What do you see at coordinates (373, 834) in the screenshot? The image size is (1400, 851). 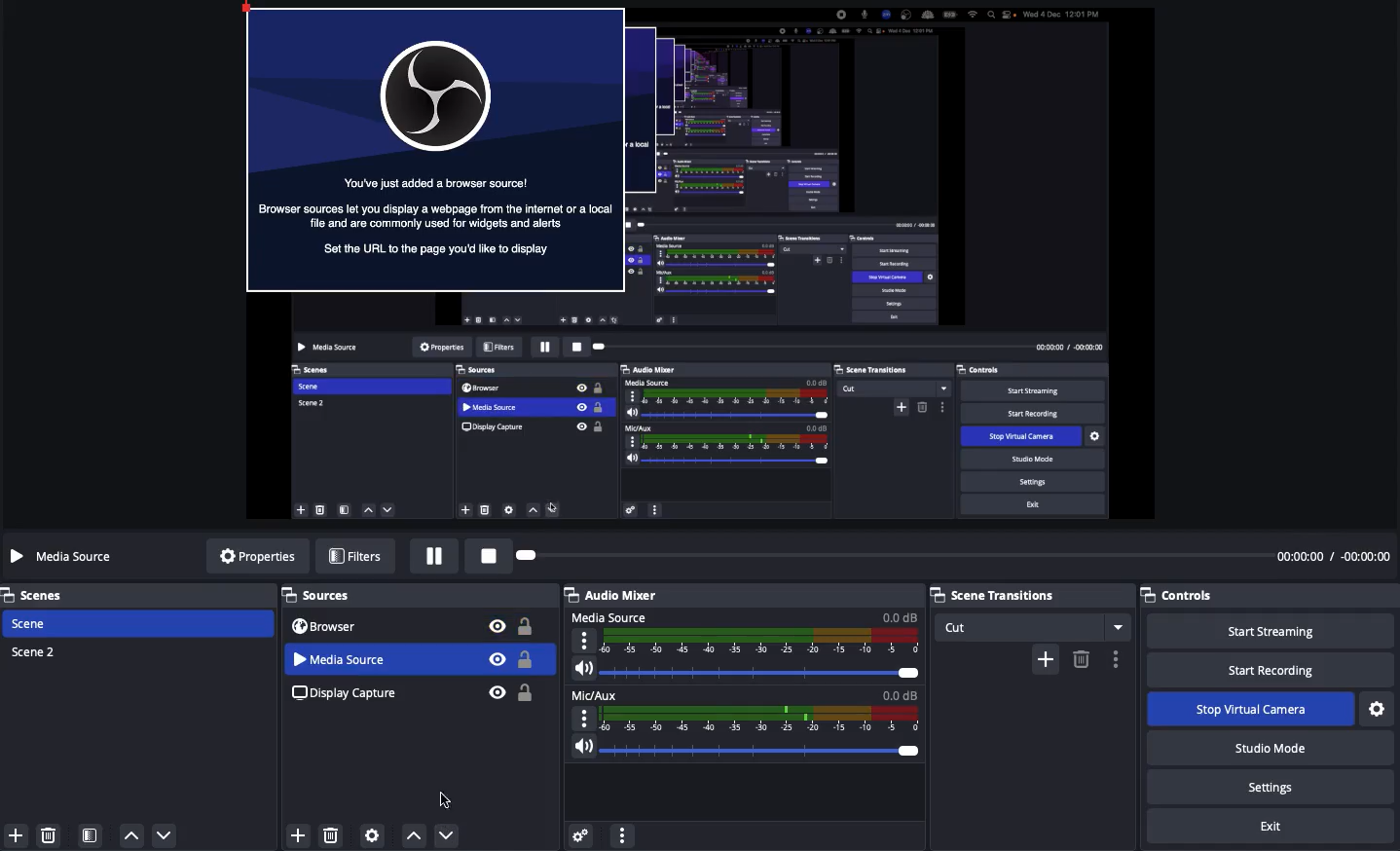 I see `Sources preferences` at bounding box center [373, 834].